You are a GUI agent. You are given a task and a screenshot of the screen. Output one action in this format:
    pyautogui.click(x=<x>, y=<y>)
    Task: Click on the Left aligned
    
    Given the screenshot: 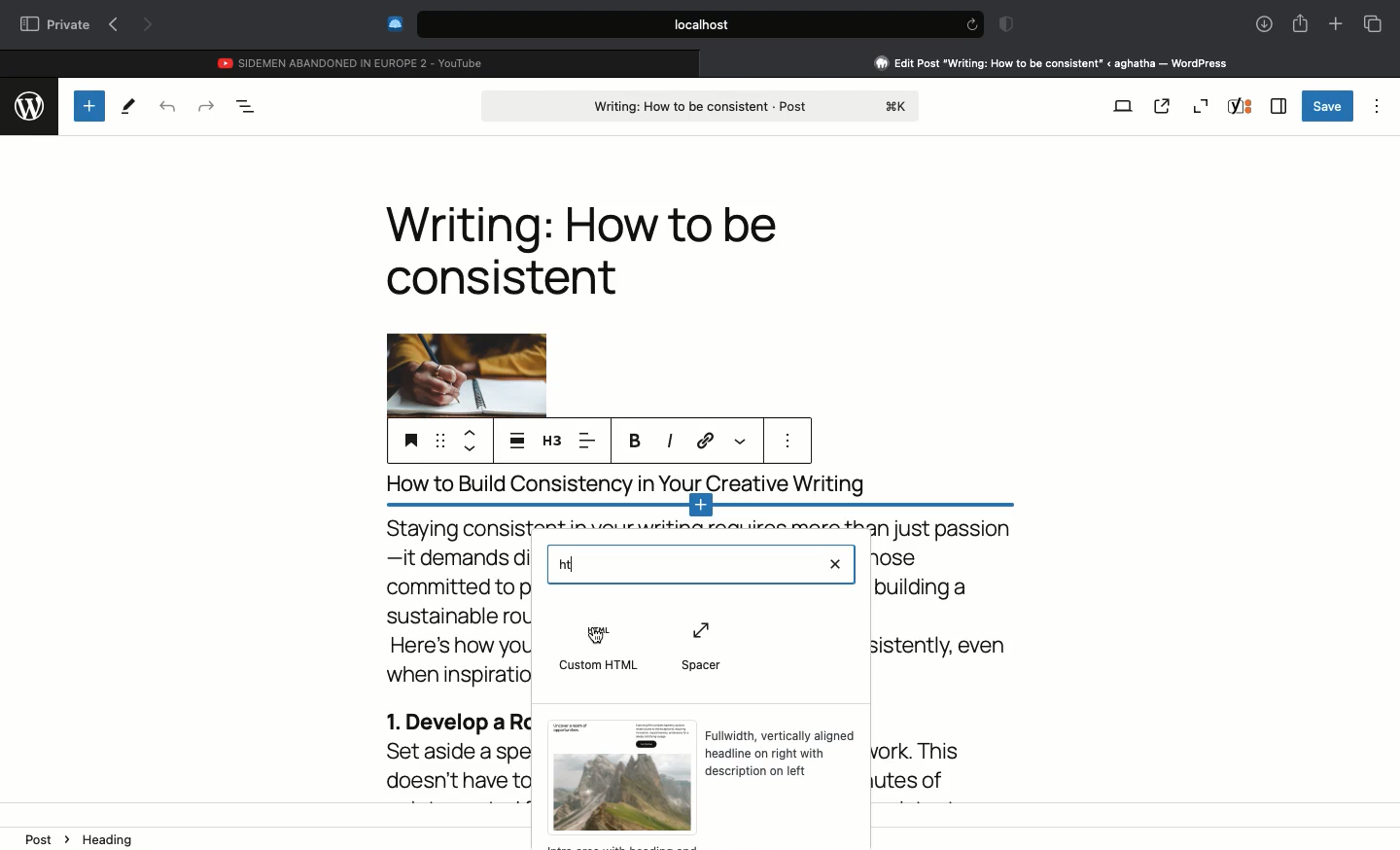 What is the action you would take?
    pyautogui.click(x=586, y=441)
    